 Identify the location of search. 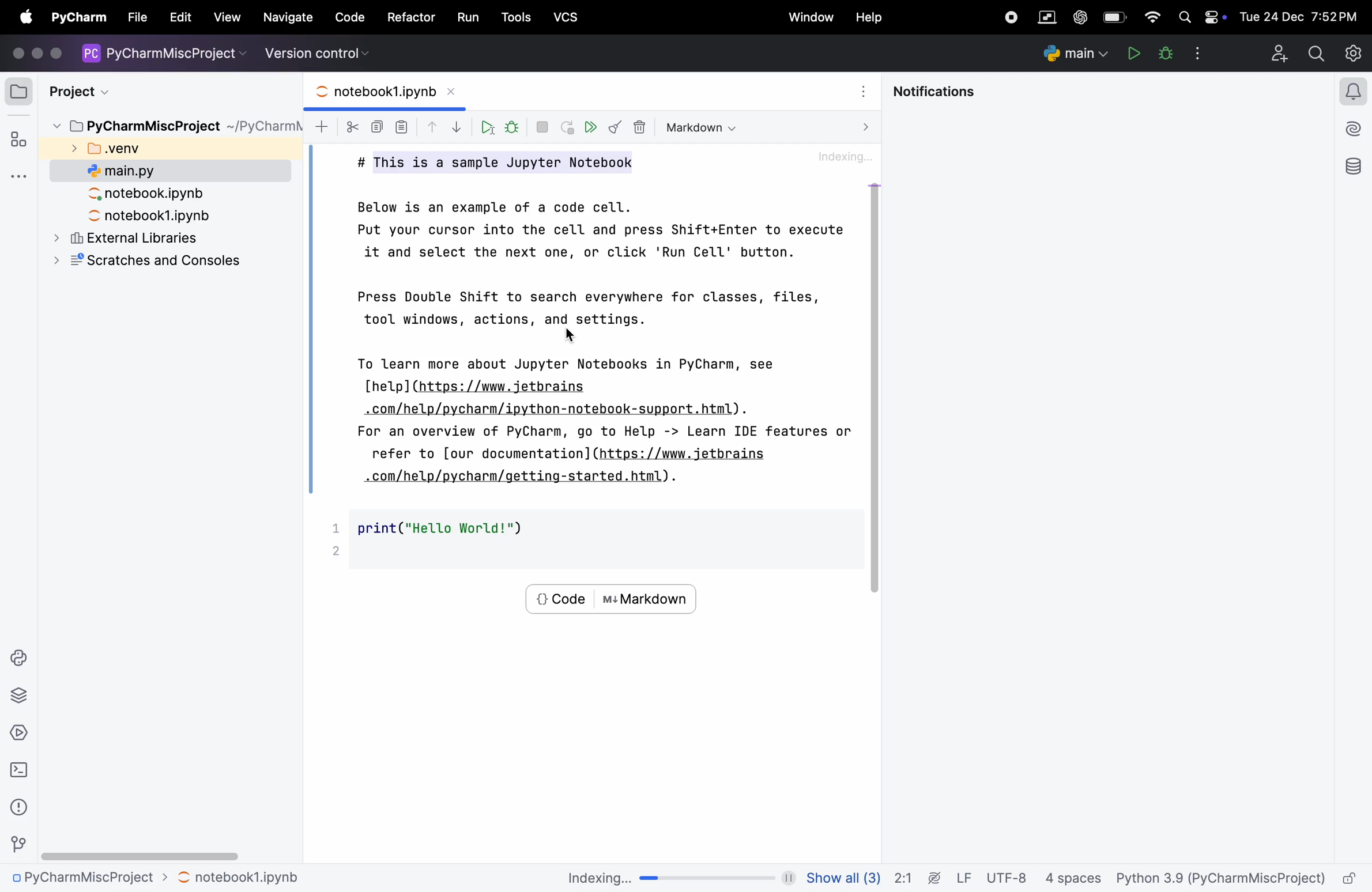
(1317, 53).